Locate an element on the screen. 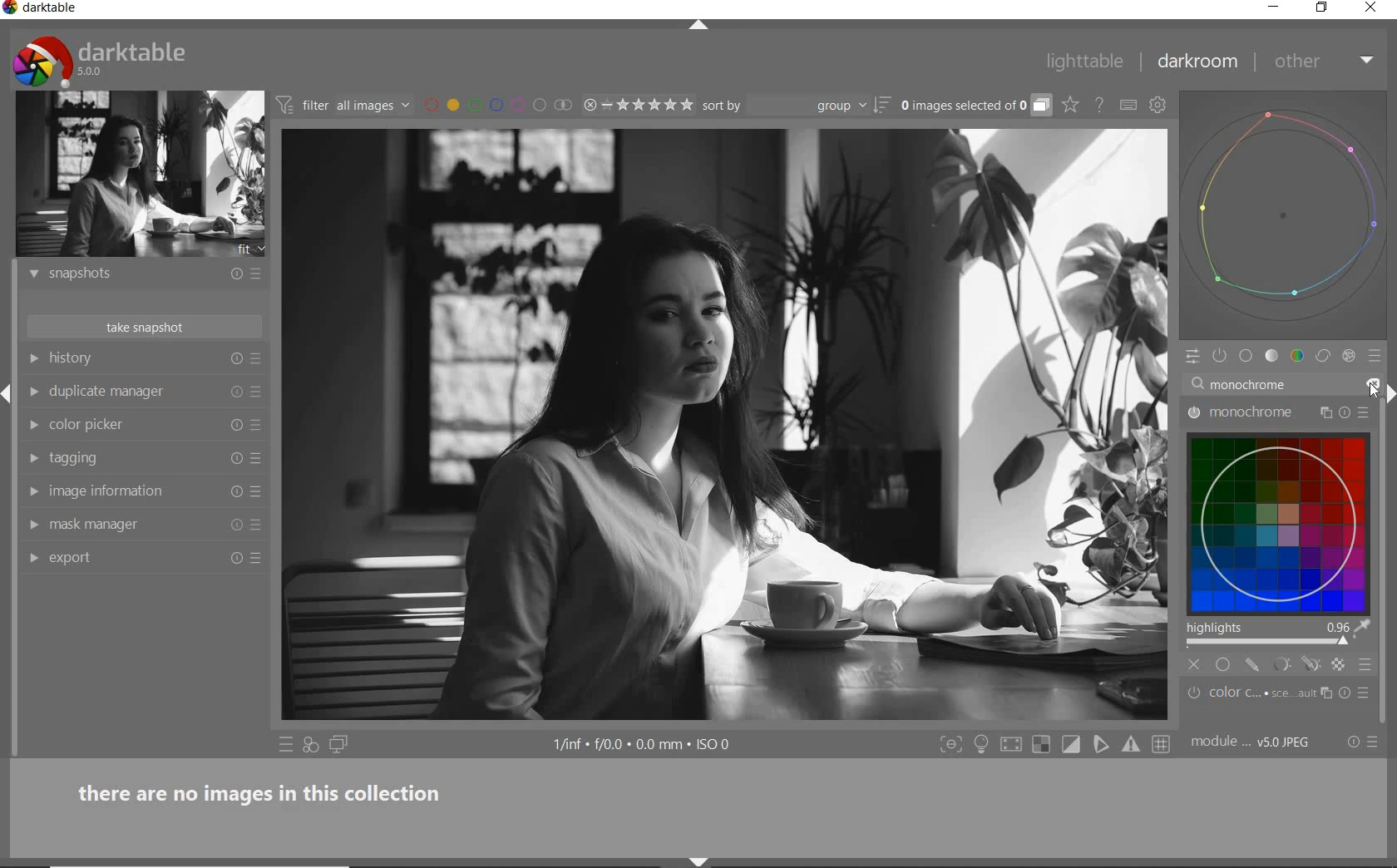 The width and height of the screenshot is (1397, 868). display information is located at coordinates (644, 746).